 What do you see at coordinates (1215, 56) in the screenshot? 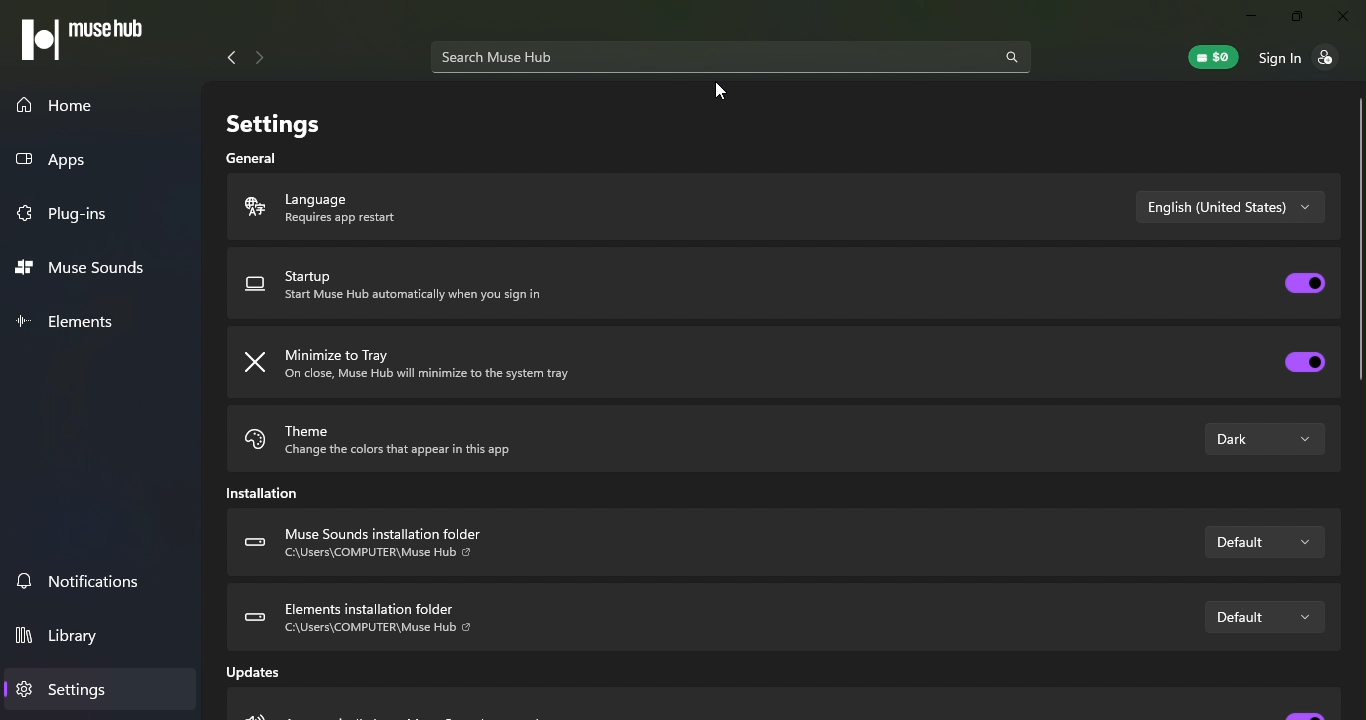
I see `Muse wallet` at bounding box center [1215, 56].